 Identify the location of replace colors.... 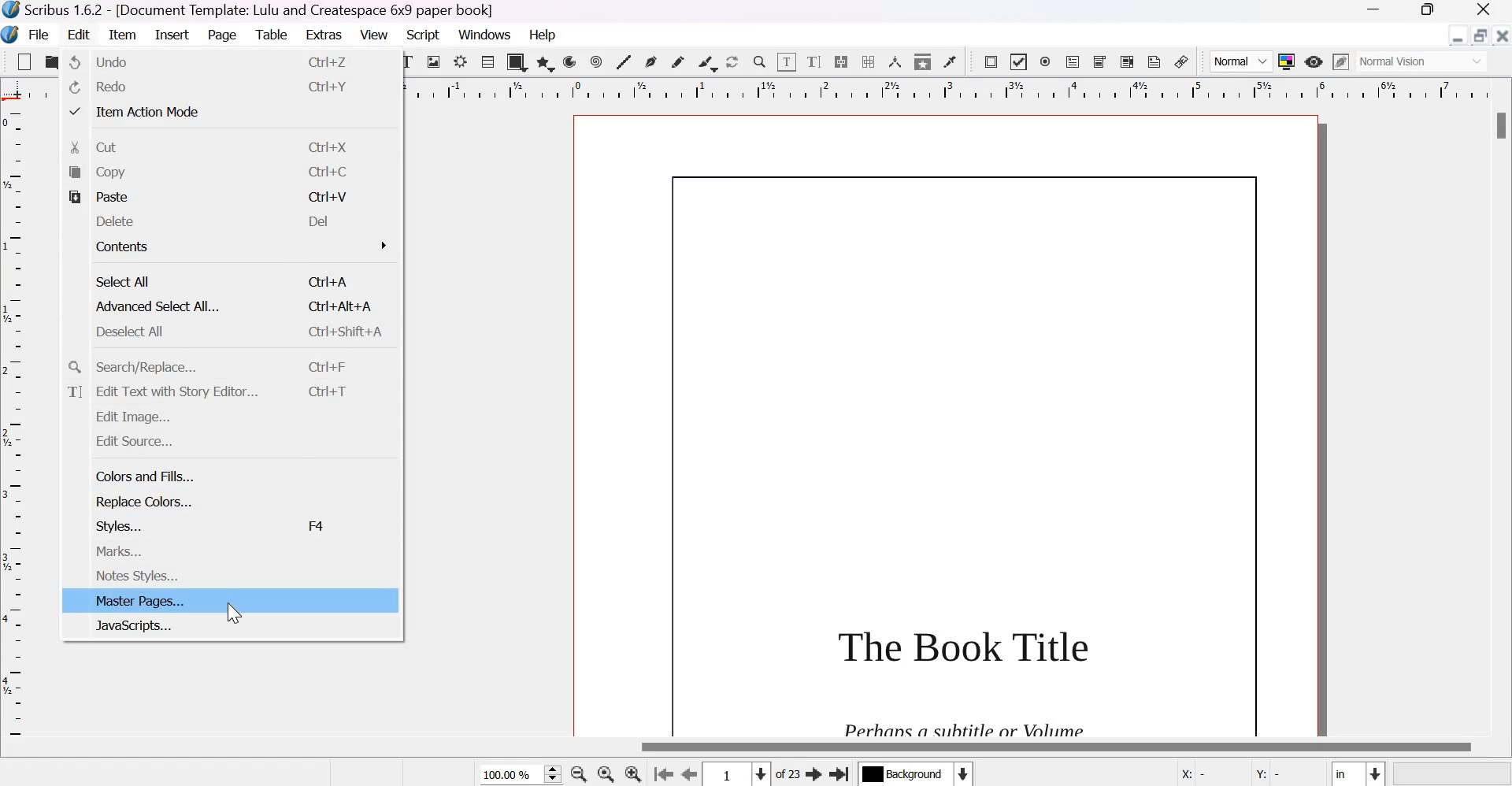
(148, 502).